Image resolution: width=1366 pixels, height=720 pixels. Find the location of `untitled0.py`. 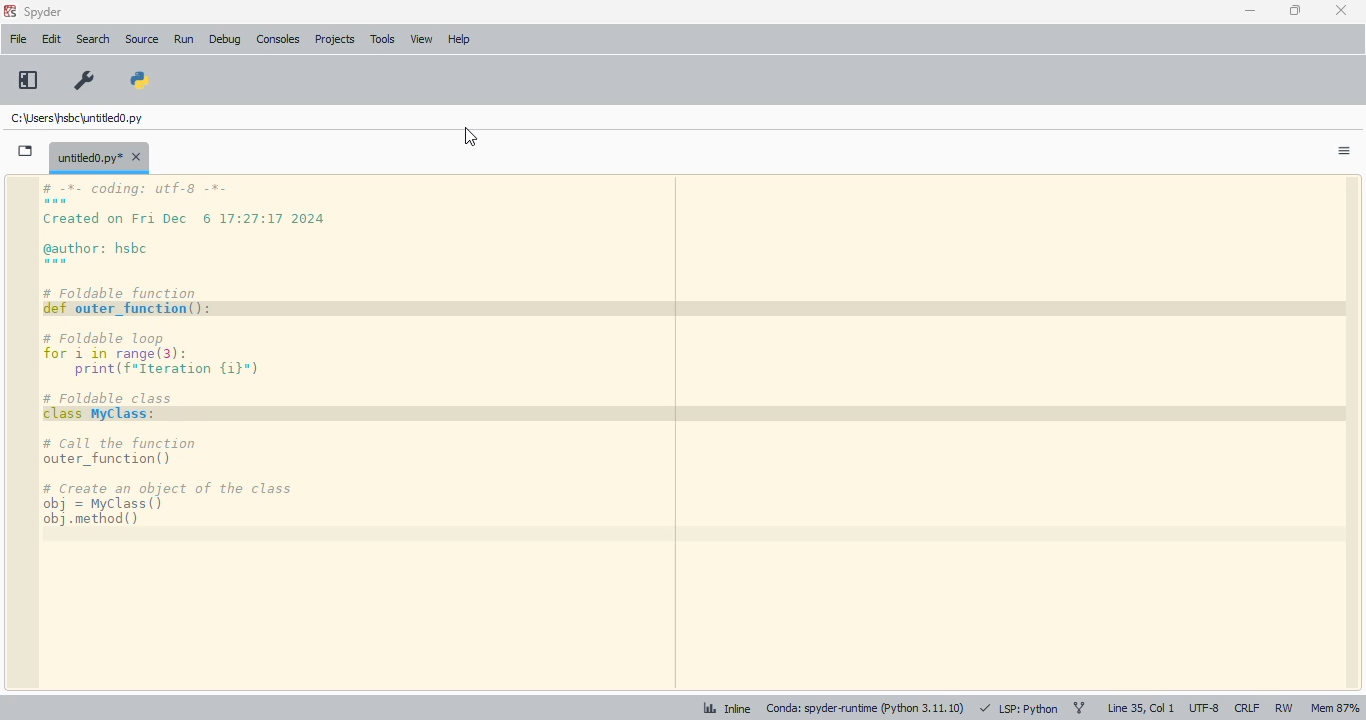

untitled0.py is located at coordinates (100, 157).